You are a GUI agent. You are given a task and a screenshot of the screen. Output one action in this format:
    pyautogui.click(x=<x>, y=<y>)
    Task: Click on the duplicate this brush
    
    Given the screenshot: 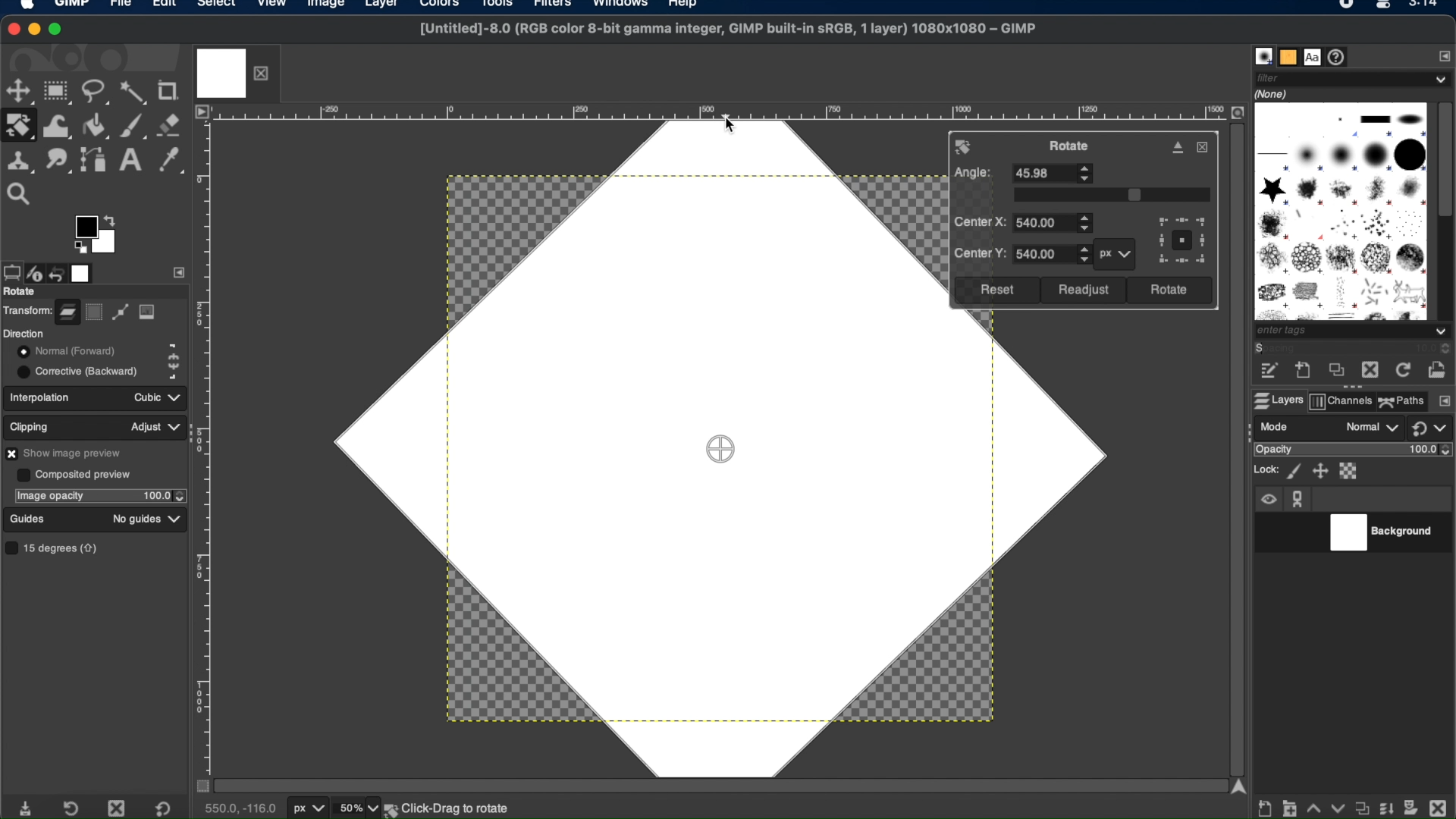 What is the action you would take?
    pyautogui.click(x=1334, y=372)
    